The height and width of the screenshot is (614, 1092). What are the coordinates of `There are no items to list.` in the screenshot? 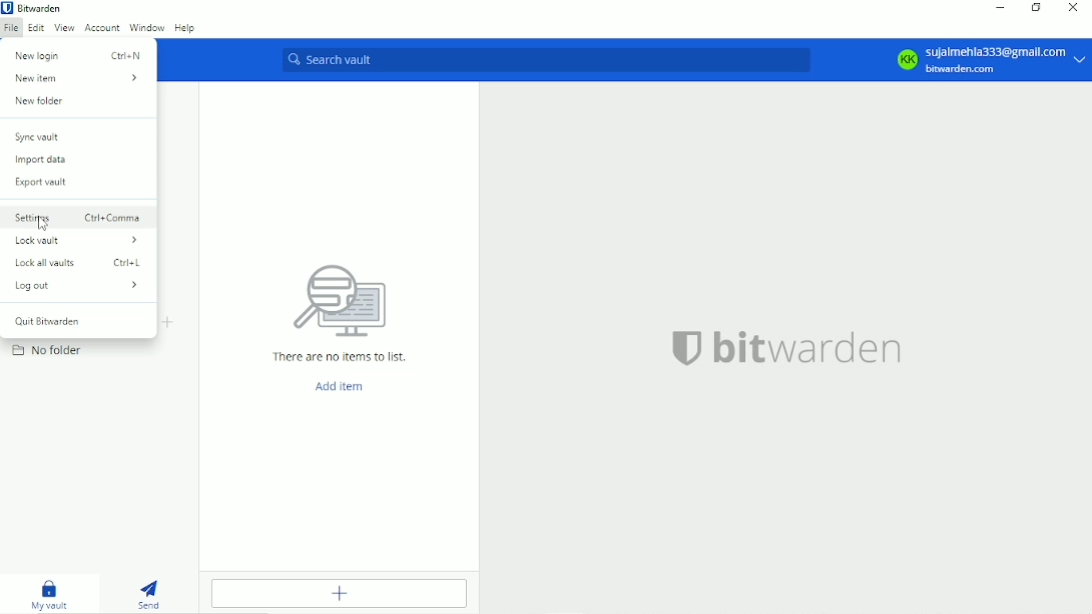 It's located at (339, 314).